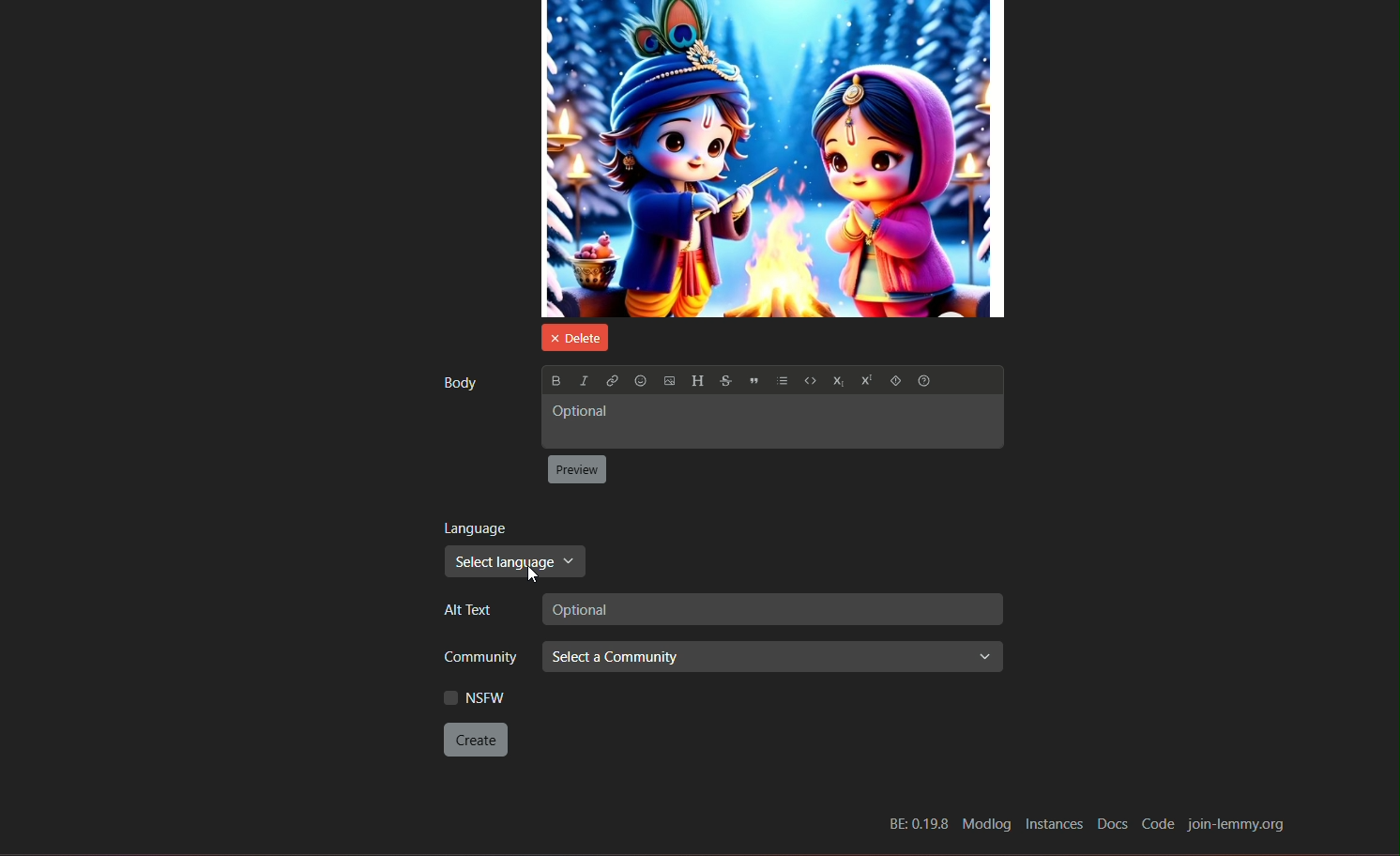 Image resolution: width=1400 pixels, height=856 pixels. What do you see at coordinates (1085, 823) in the screenshot?
I see `BE:0.198 Modiog Instances Docs Code join-lemmy.org` at bounding box center [1085, 823].